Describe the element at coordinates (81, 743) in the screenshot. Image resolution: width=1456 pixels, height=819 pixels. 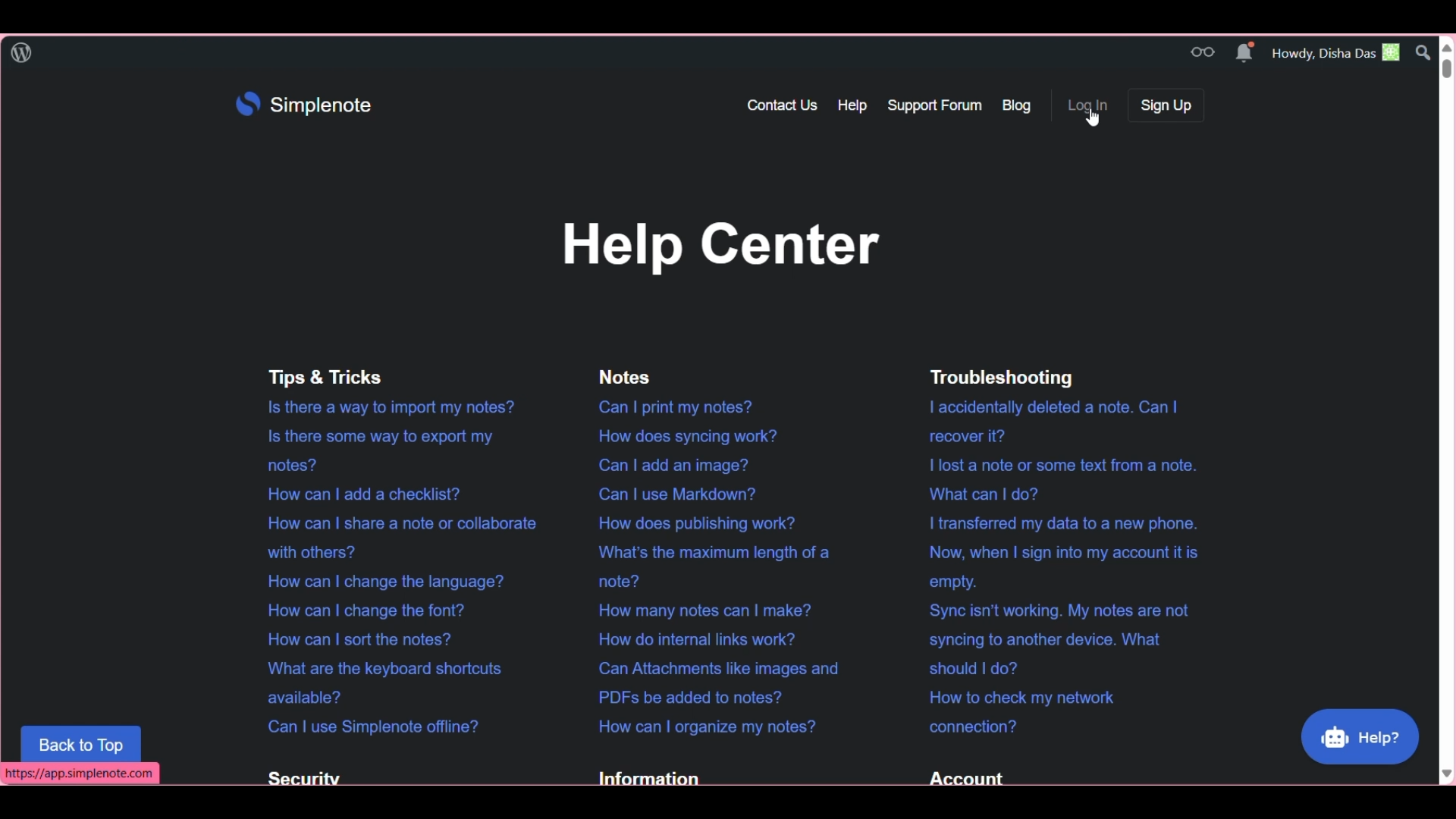
I see `back to top` at that location.